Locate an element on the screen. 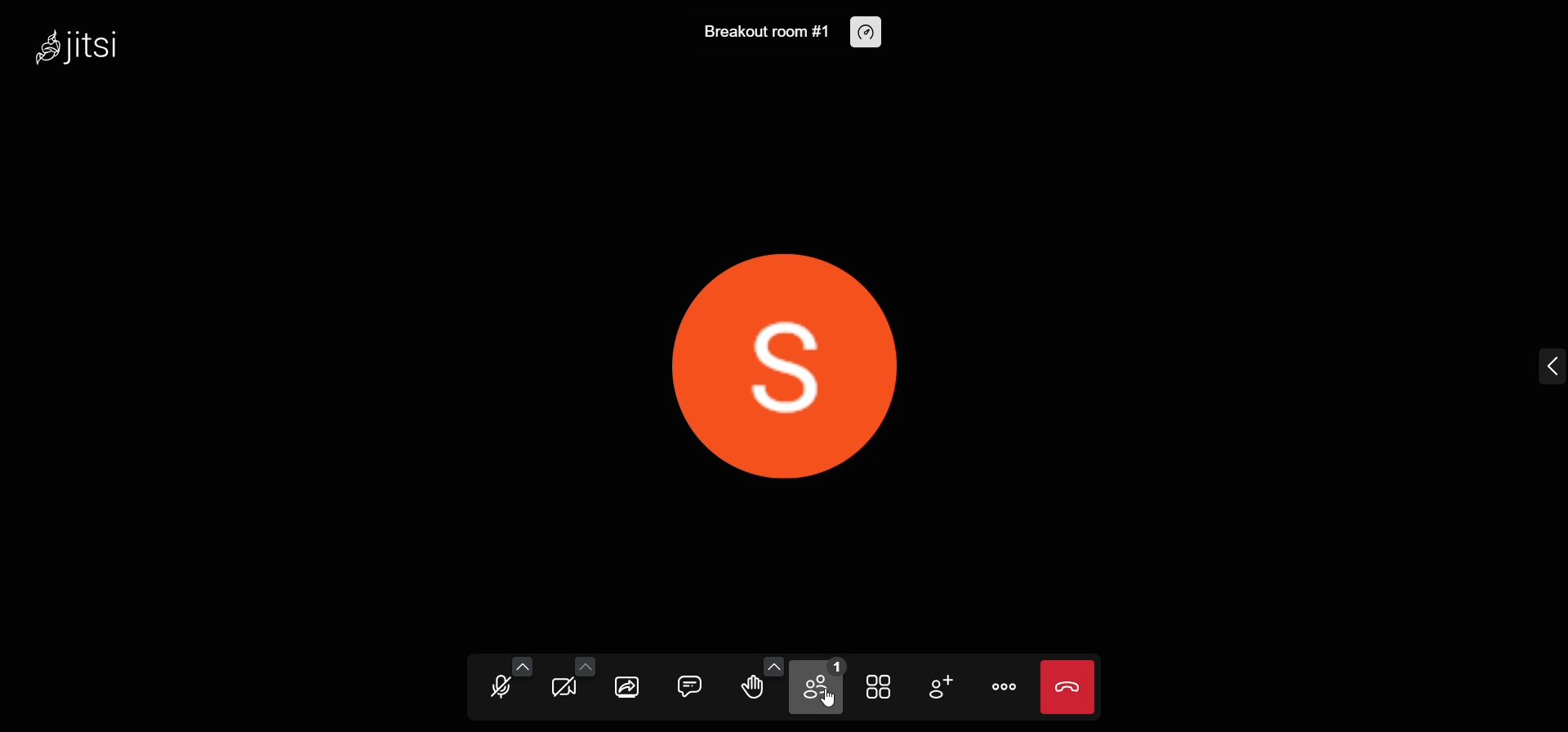  camera is located at coordinates (563, 690).